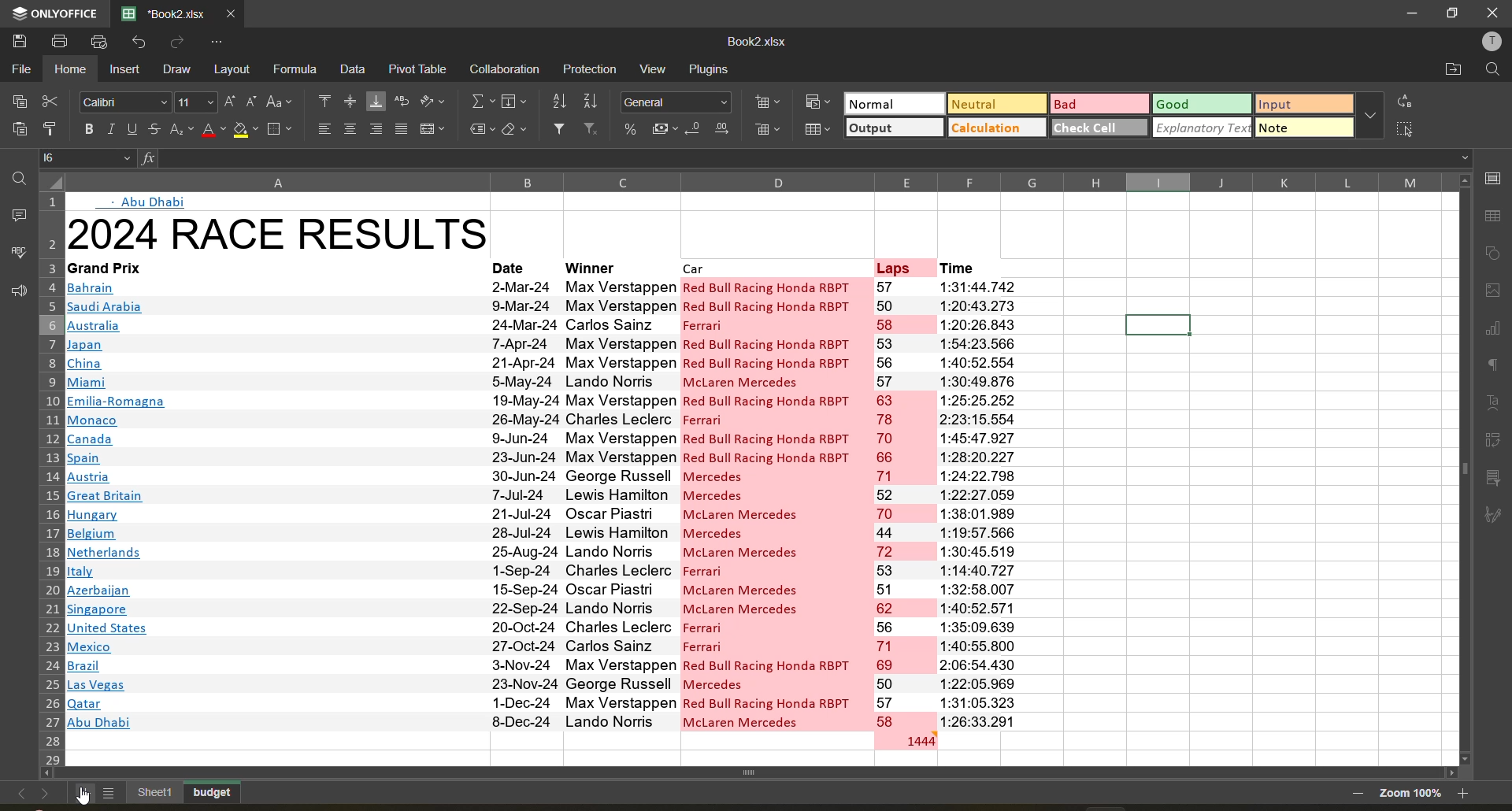 This screenshot has height=811, width=1512. Describe the element at coordinates (796, 773) in the screenshot. I see `scroll bar` at that location.